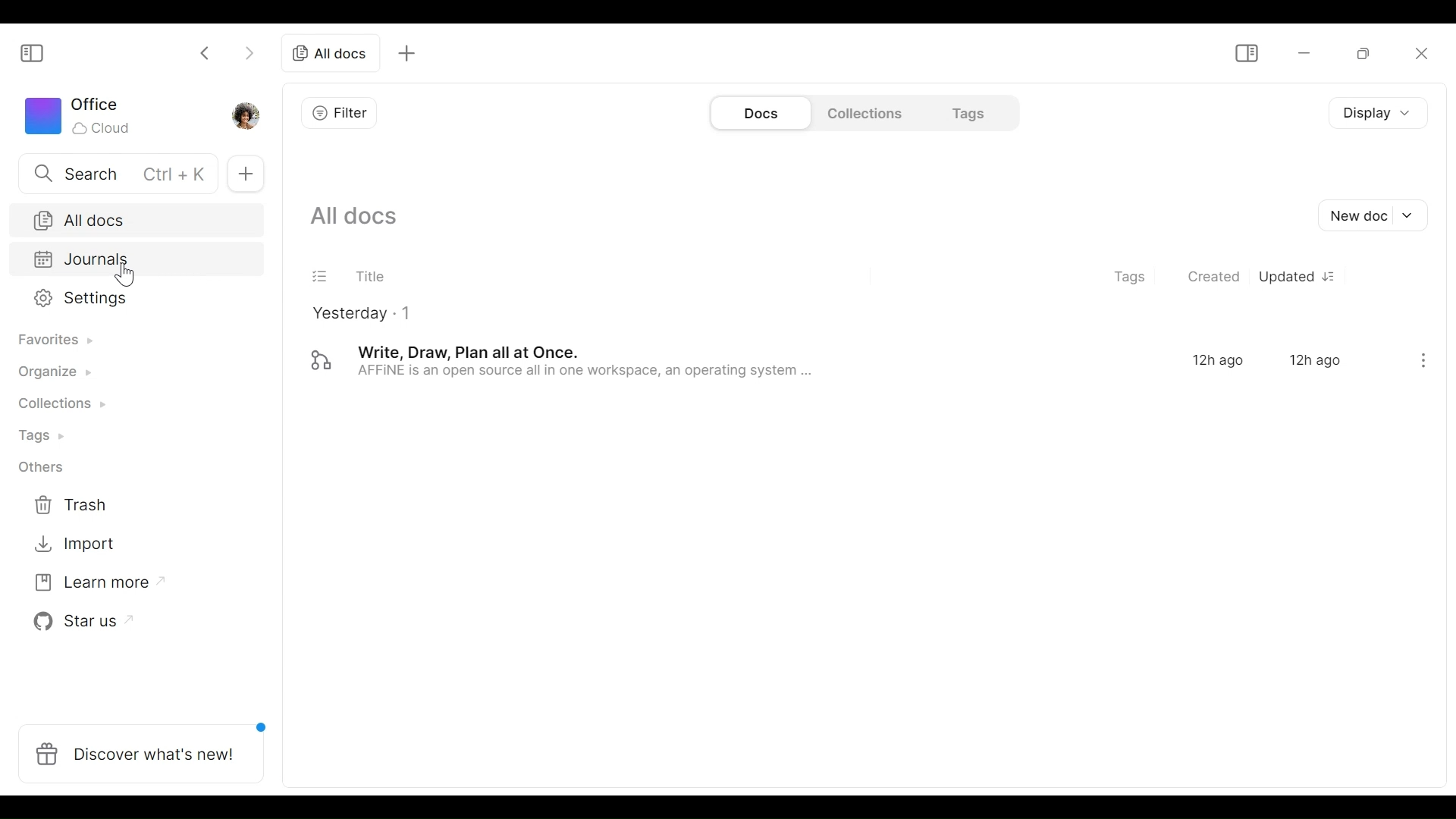 The height and width of the screenshot is (819, 1456). What do you see at coordinates (1213, 277) in the screenshot?
I see `Created` at bounding box center [1213, 277].